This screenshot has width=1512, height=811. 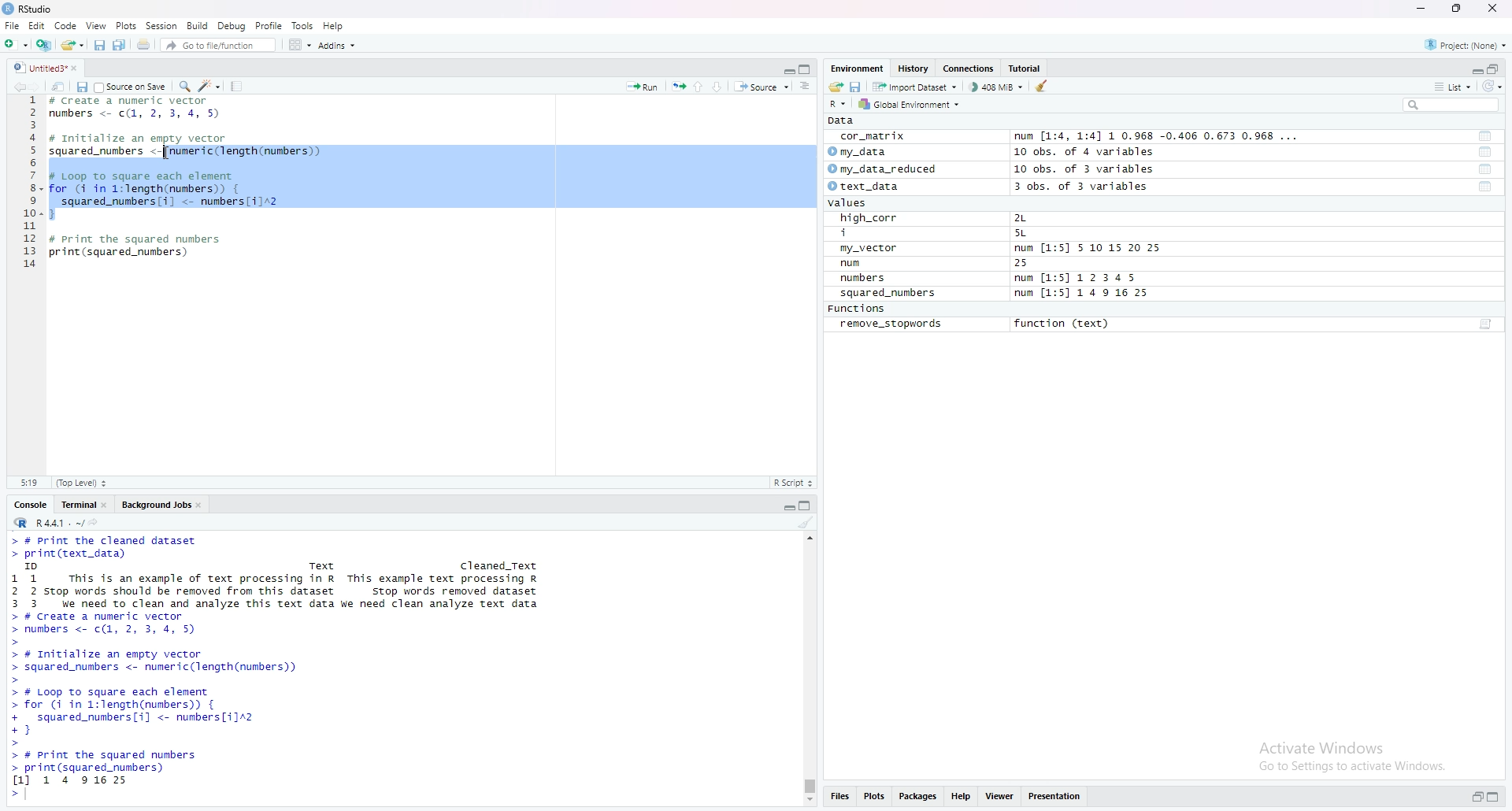 I want to click on Create a Project, so click(x=43, y=43).